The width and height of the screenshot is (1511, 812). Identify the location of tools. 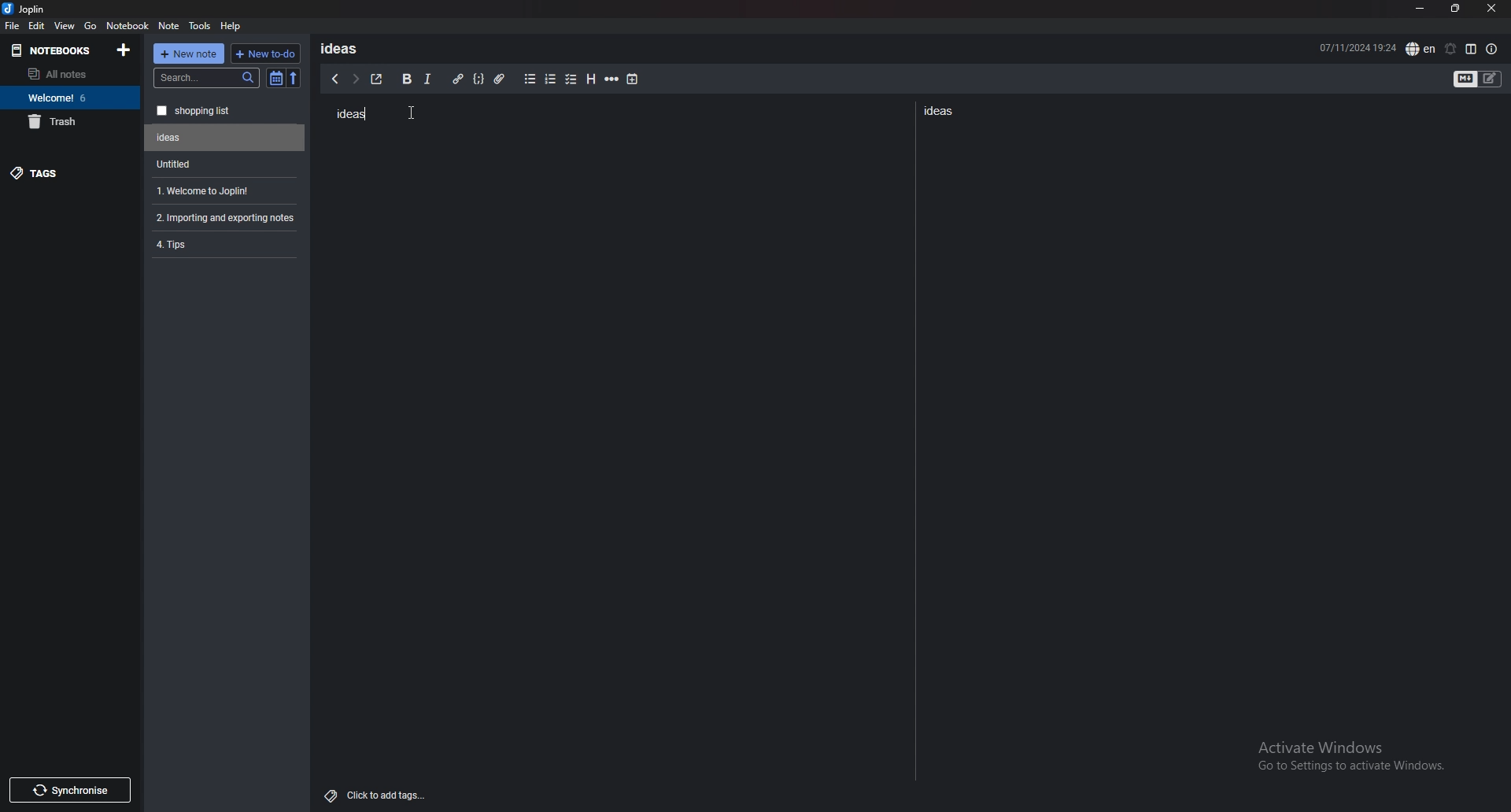
(201, 26).